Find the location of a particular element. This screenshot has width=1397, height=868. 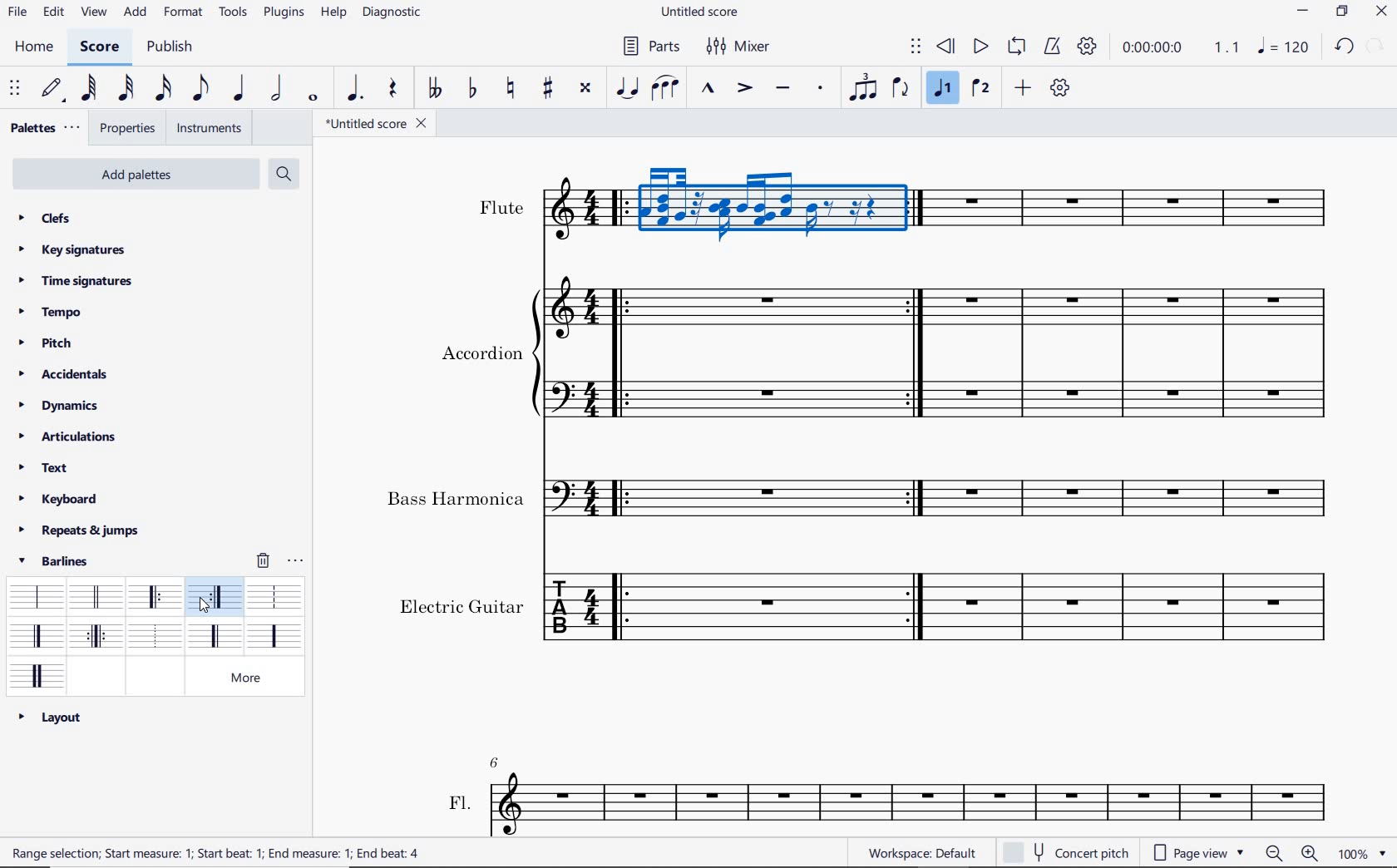

plugins is located at coordinates (283, 14).